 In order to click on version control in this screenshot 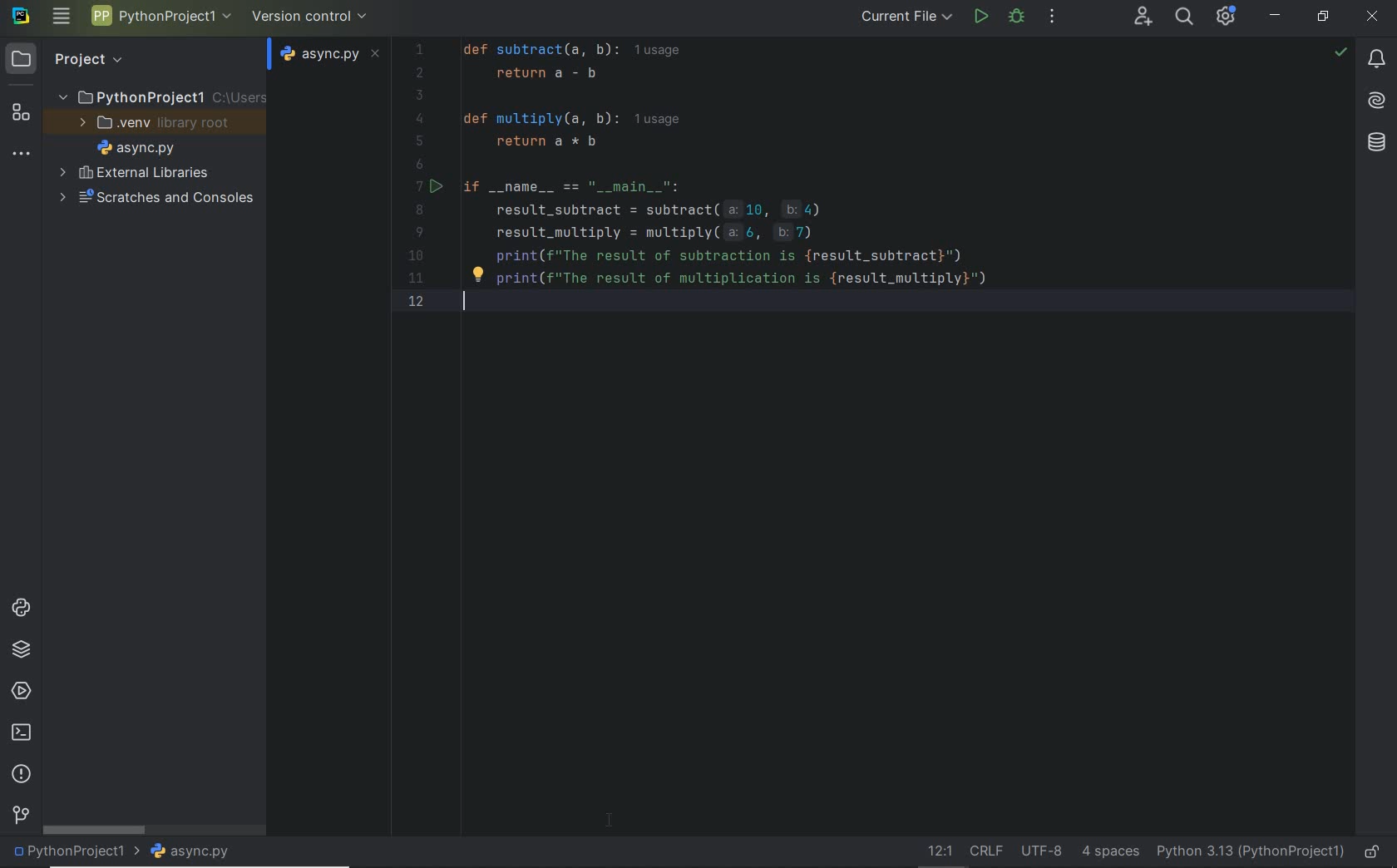, I will do `click(310, 17)`.